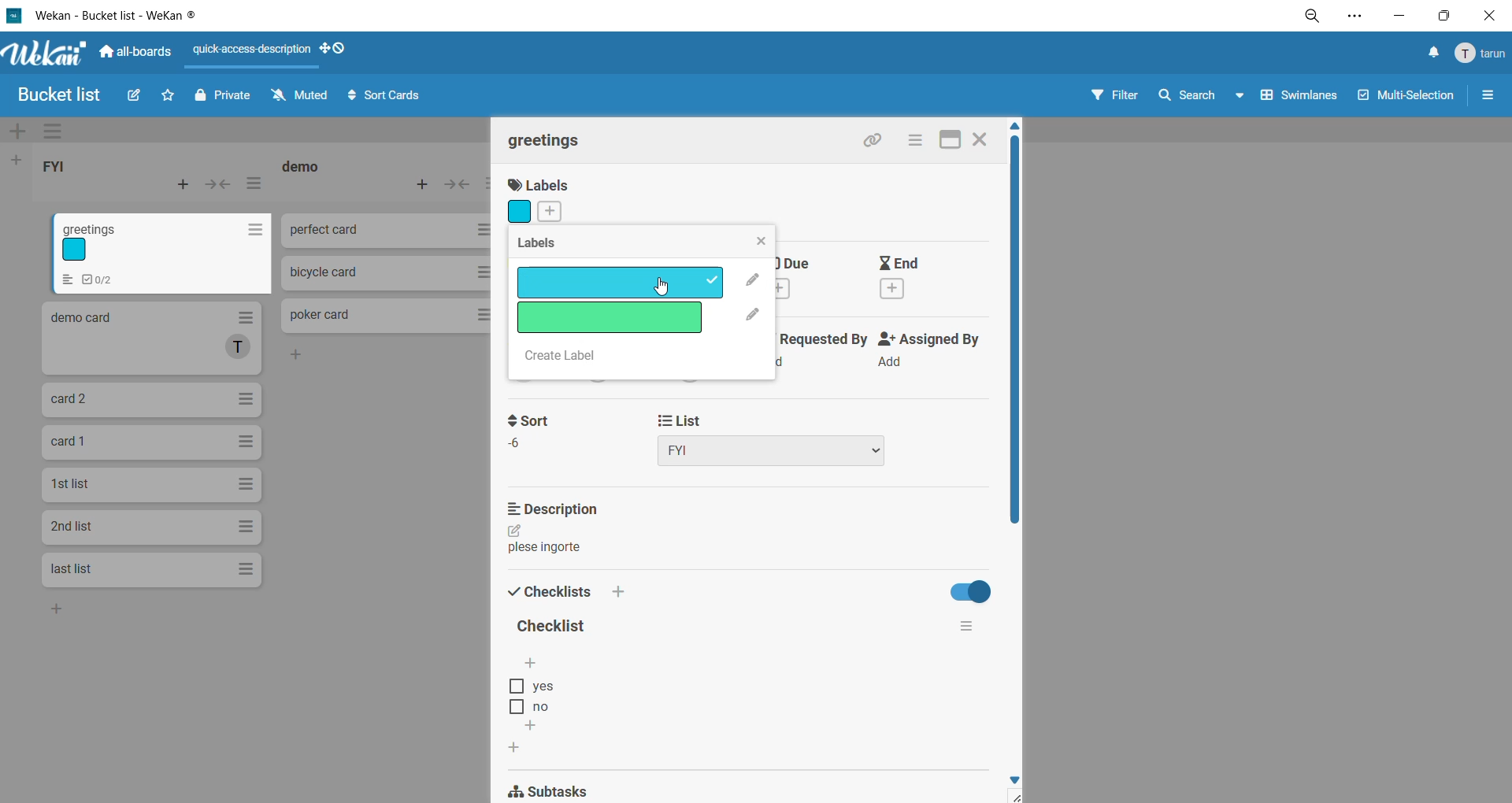 The width and height of the screenshot is (1512, 803). Describe the element at coordinates (15, 133) in the screenshot. I see `add swimlane` at that location.